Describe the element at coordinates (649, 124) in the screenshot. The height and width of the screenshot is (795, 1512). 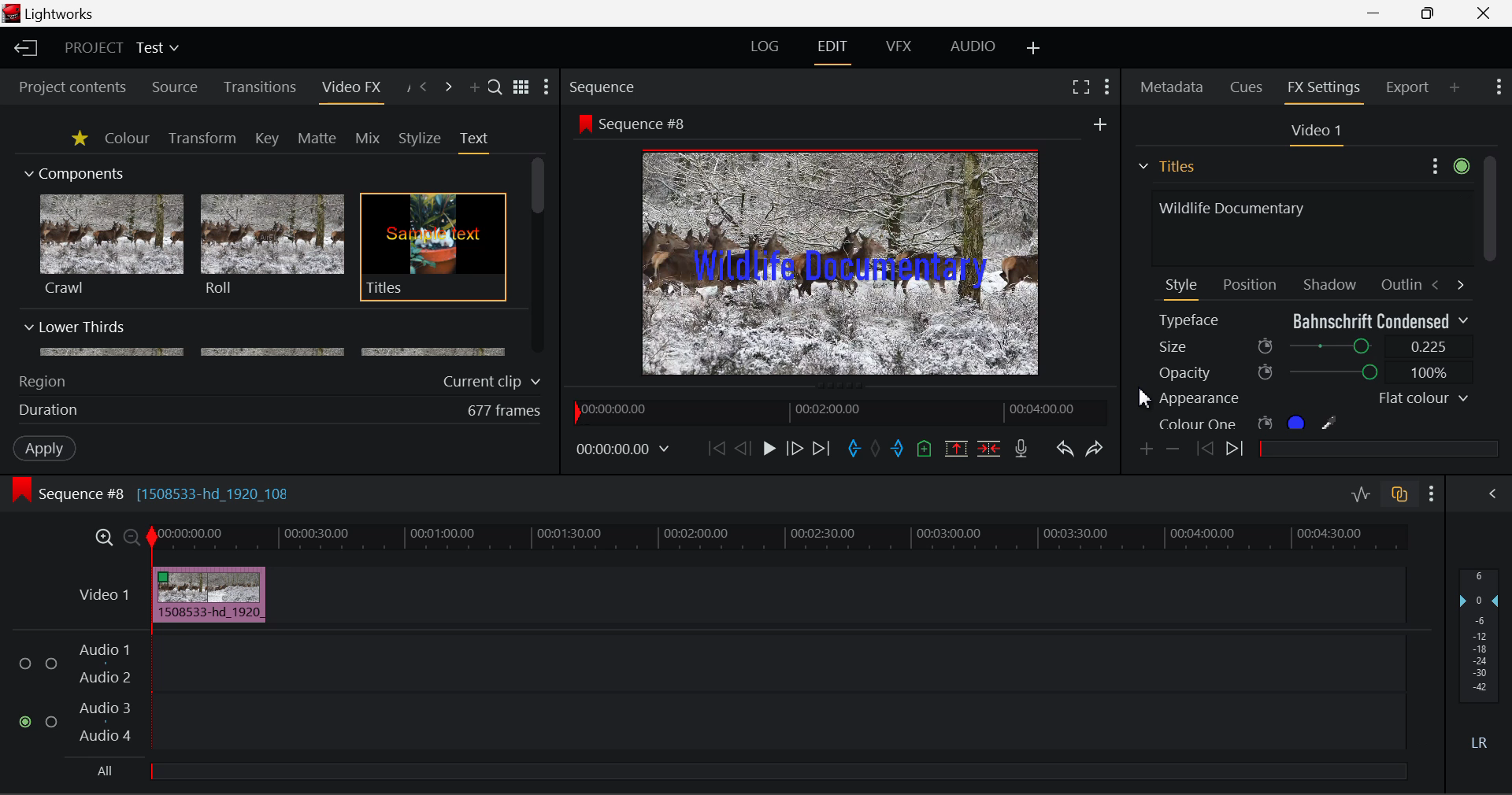
I see `Sequence #8` at that location.